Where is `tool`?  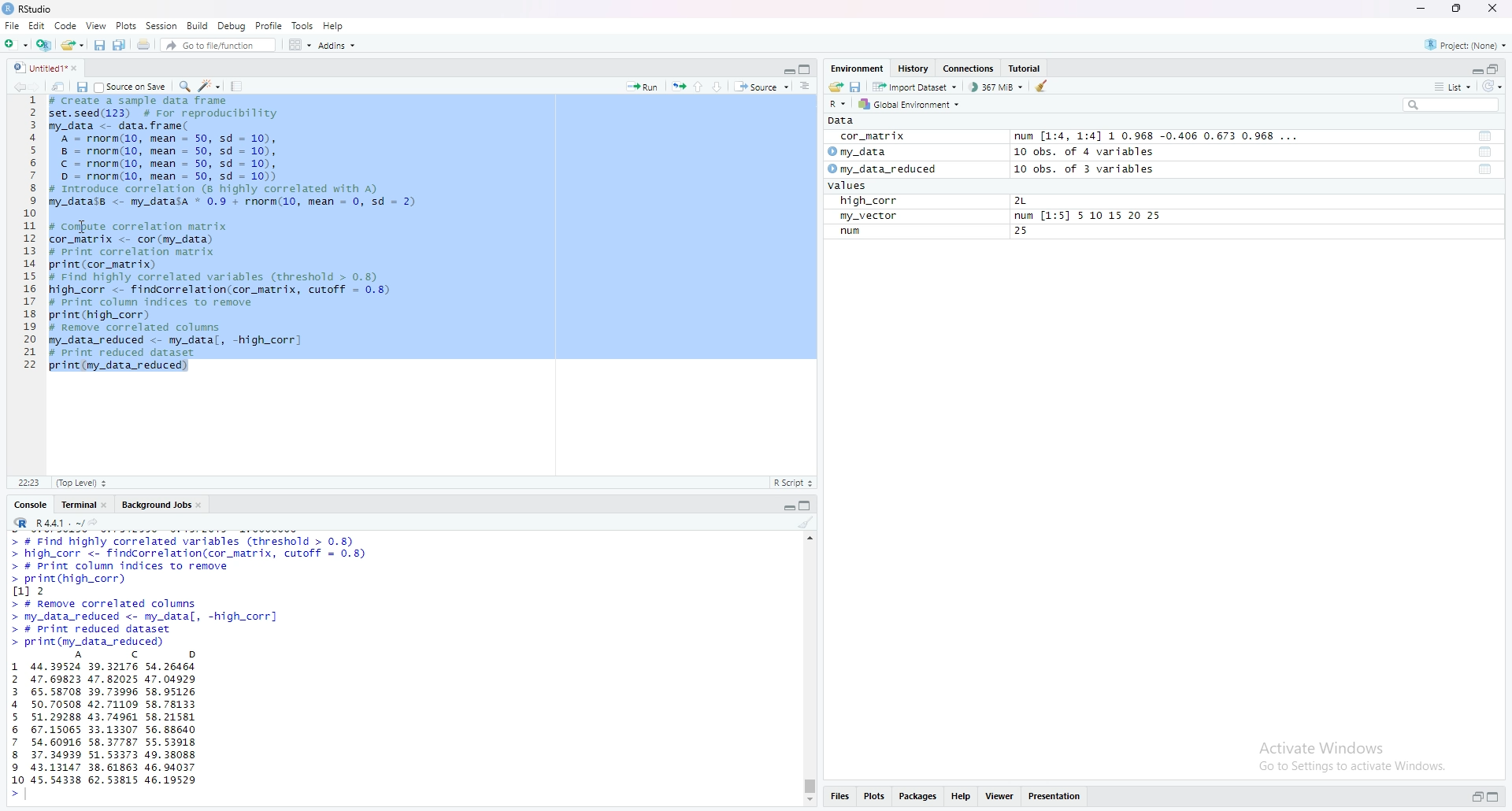
tool is located at coordinates (1486, 152).